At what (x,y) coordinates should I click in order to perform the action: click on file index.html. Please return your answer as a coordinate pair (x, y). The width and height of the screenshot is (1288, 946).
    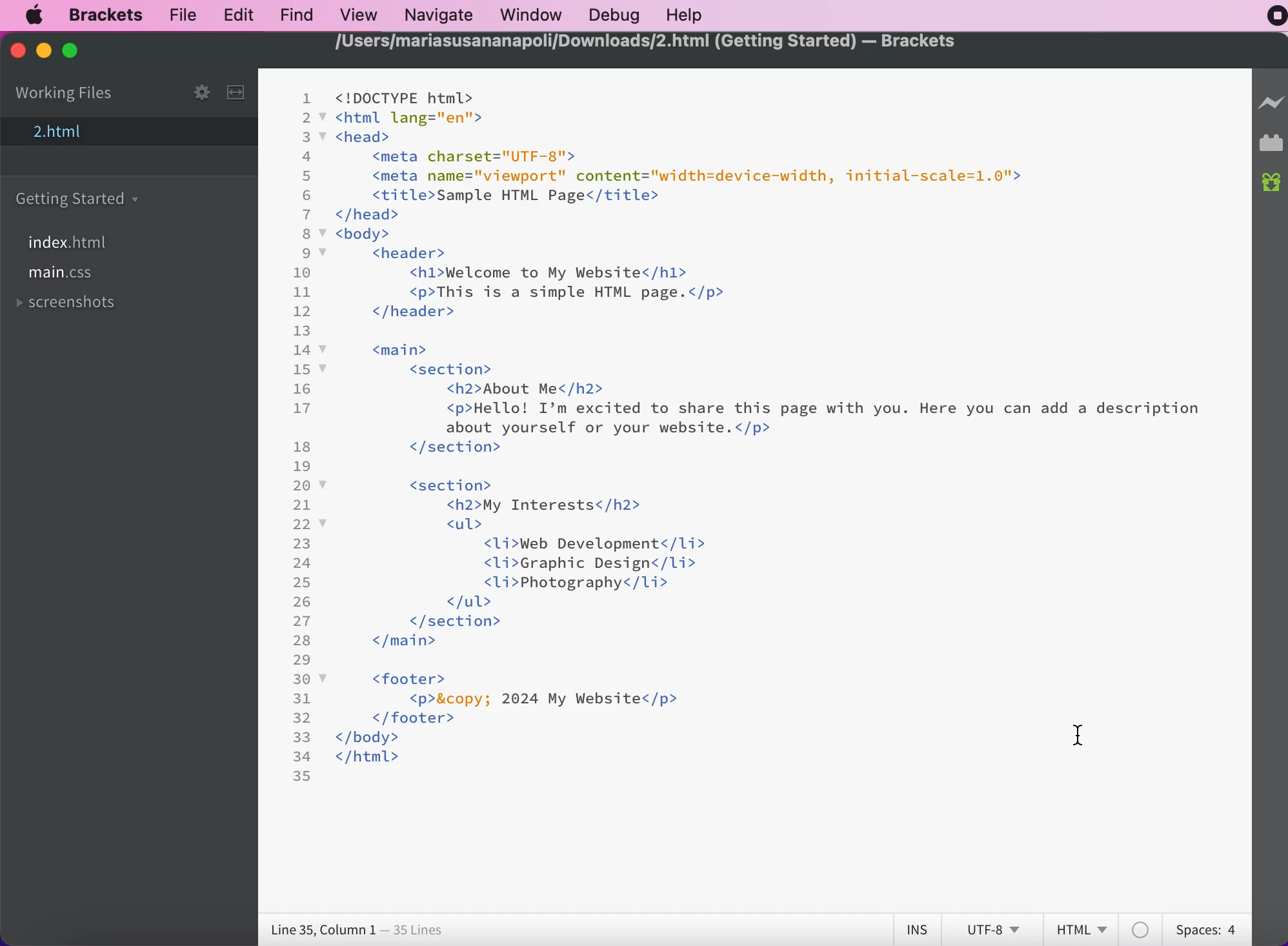
    Looking at the image, I should click on (75, 243).